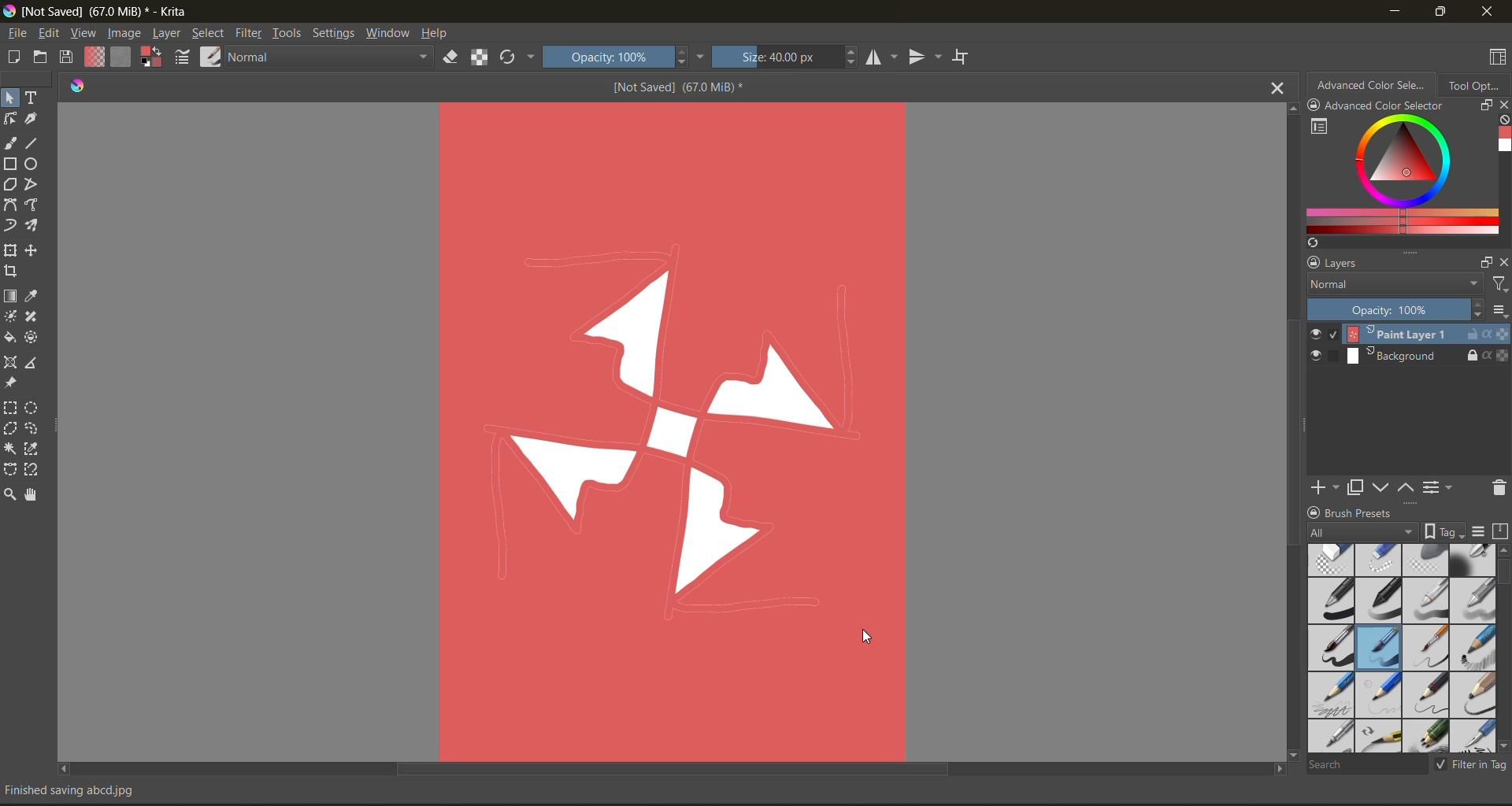  Describe the element at coordinates (10, 119) in the screenshot. I see `tools` at that location.